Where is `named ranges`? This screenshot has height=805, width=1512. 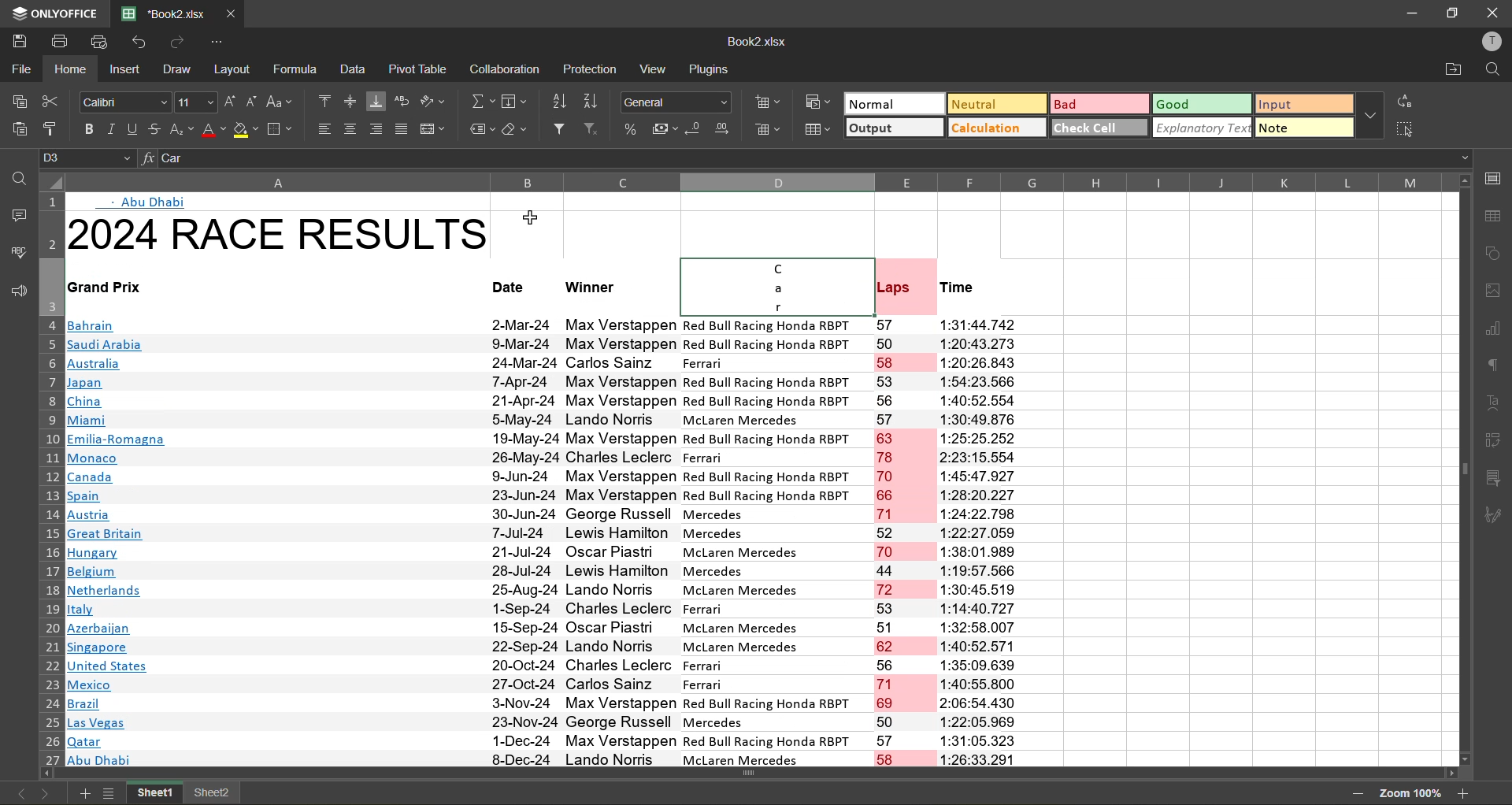
named ranges is located at coordinates (481, 129).